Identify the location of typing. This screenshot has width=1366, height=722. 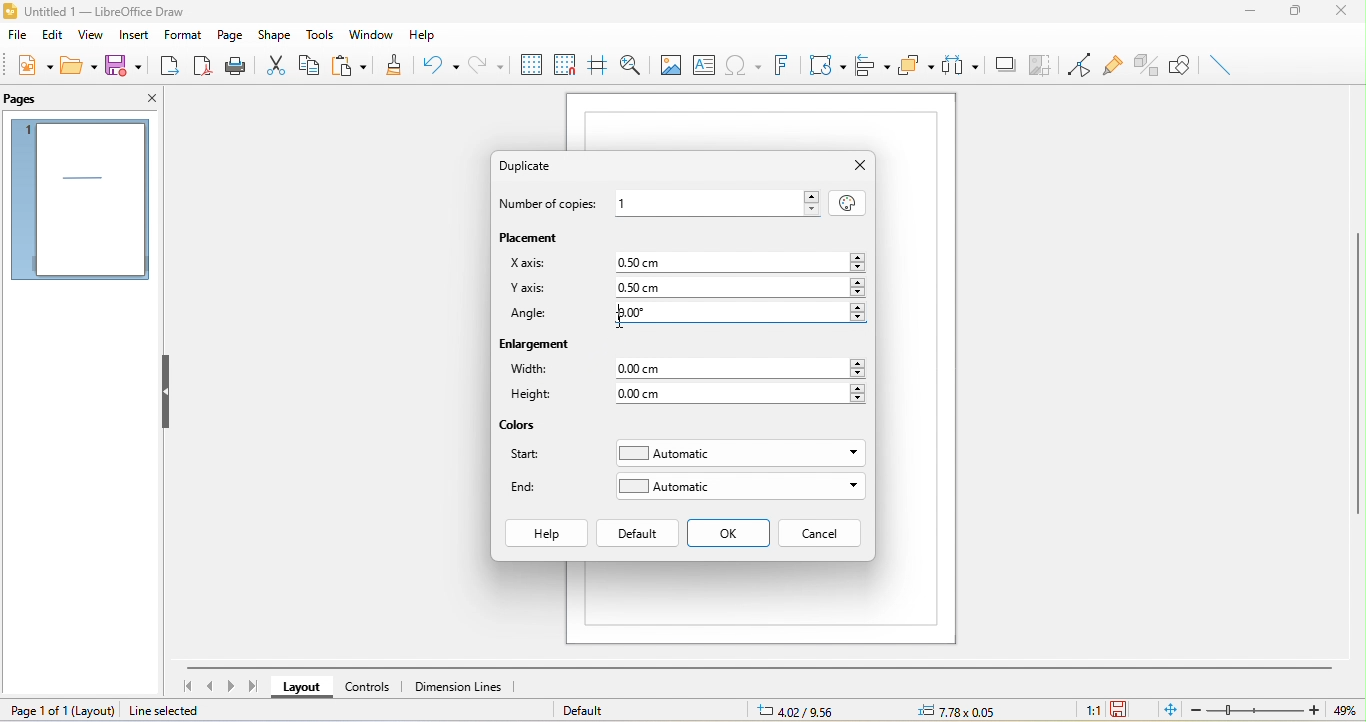
(737, 312).